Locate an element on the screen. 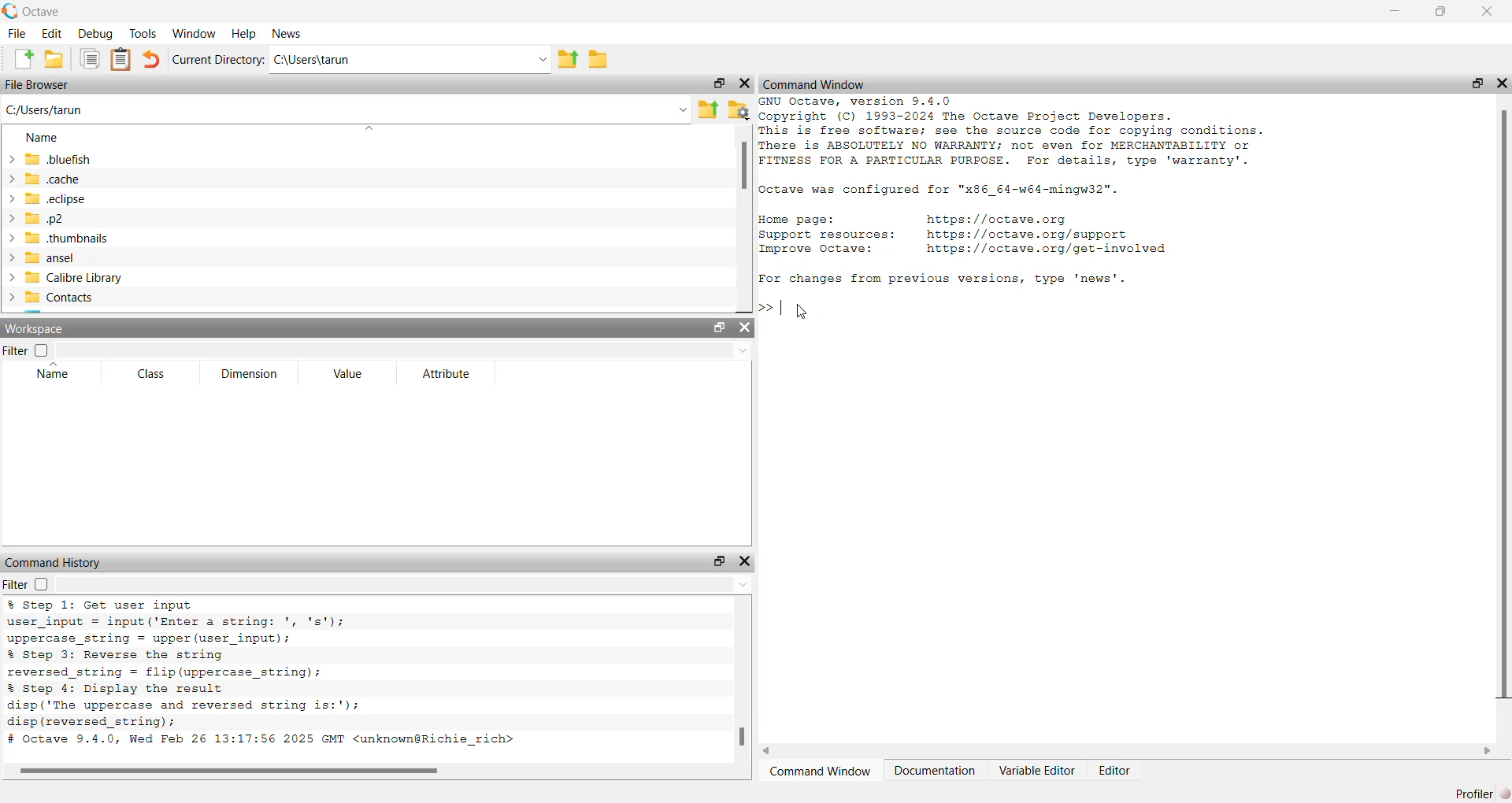  value is located at coordinates (350, 376).